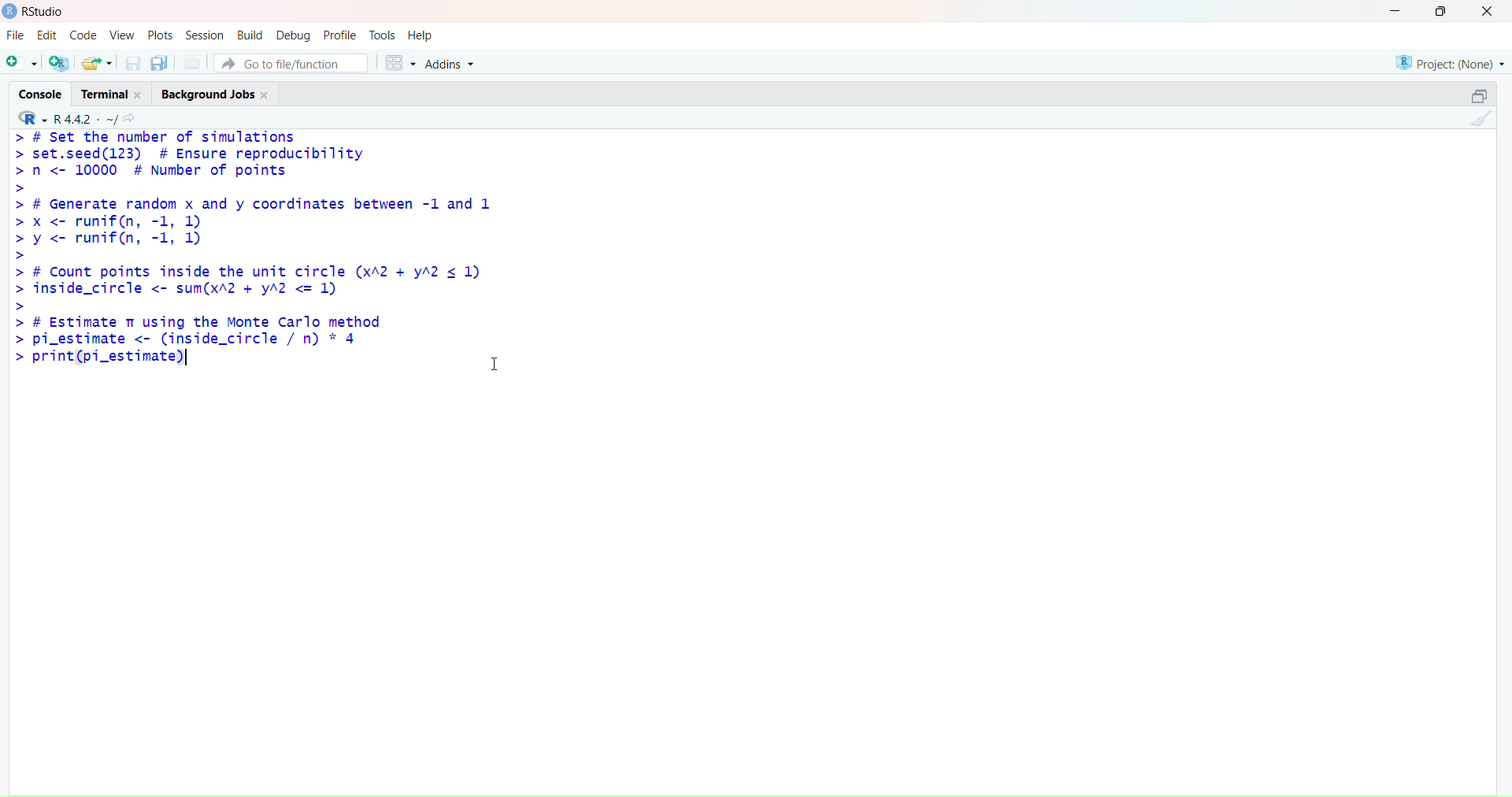 Image resolution: width=1512 pixels, height=797 pixels. I want to click on Open an existing file (Ctrl + O), so click(98, 61).